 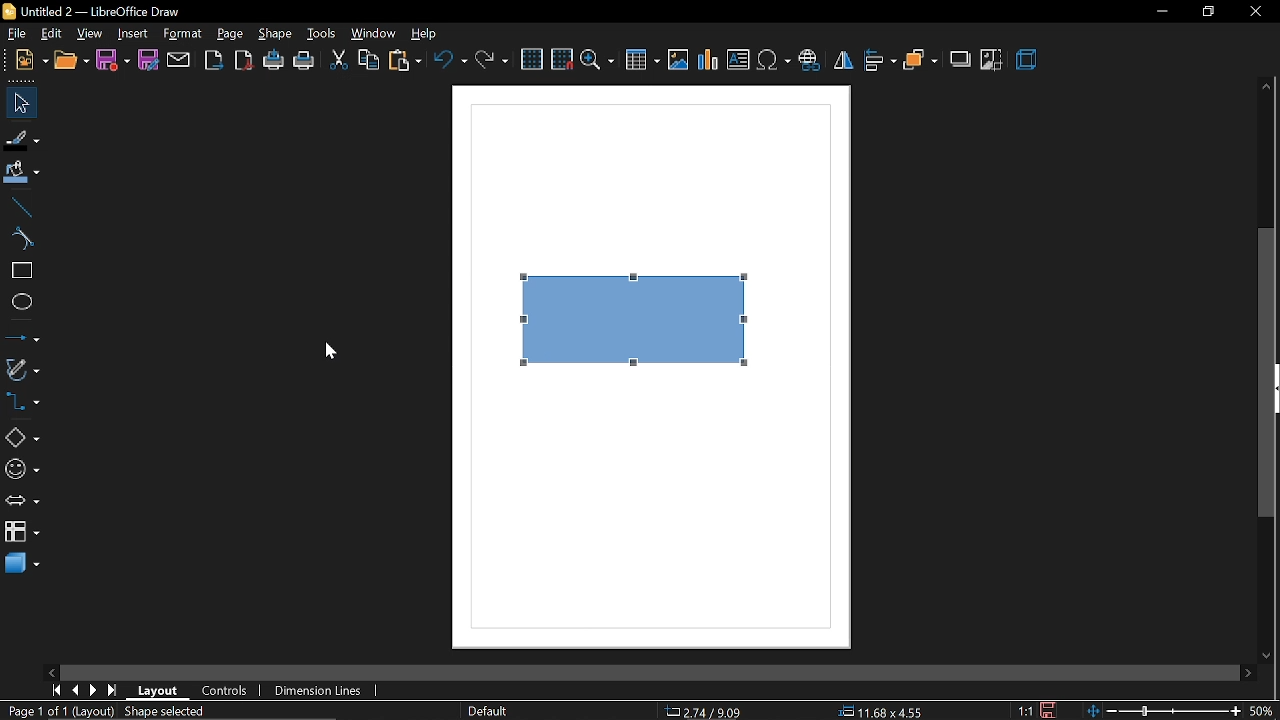 I want to click on Insert table, so click(x=642, y=63).